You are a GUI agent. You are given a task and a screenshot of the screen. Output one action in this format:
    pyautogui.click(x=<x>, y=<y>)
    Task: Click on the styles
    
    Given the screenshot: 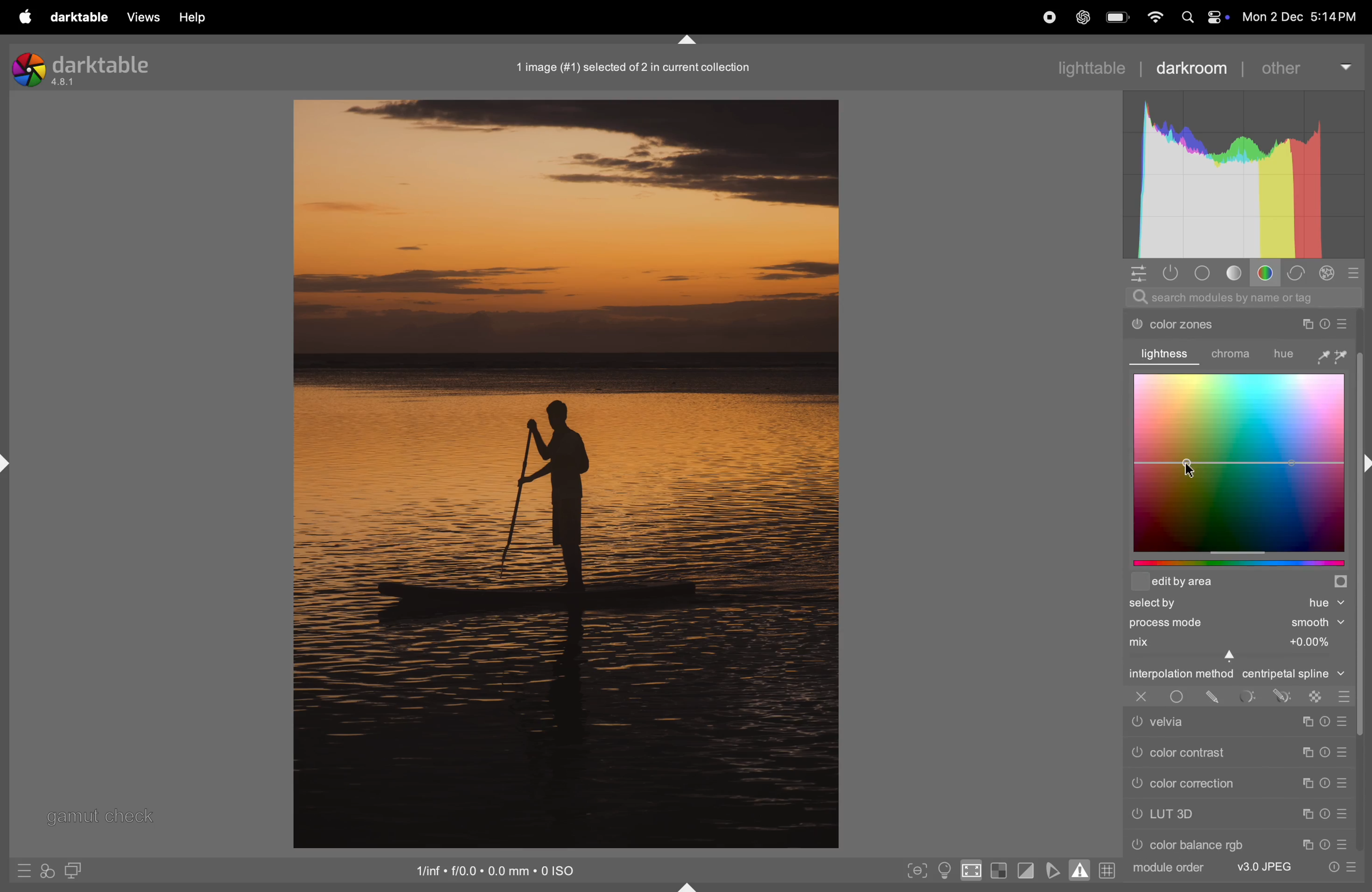 What is the action you would take?
    pyautogui.click(x=47, y=872)
    